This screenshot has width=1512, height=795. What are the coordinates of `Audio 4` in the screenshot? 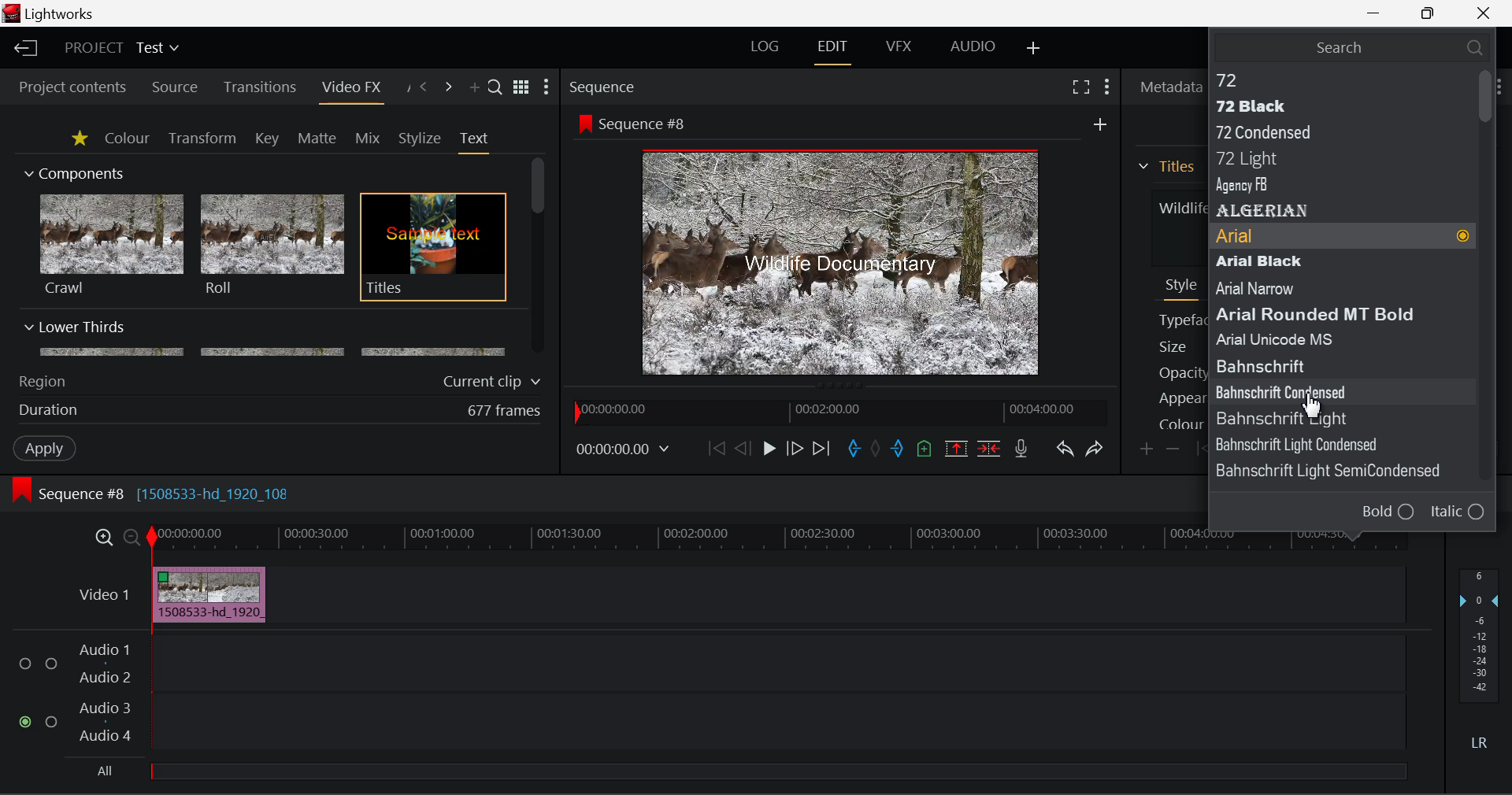 It's located at (106, 734).